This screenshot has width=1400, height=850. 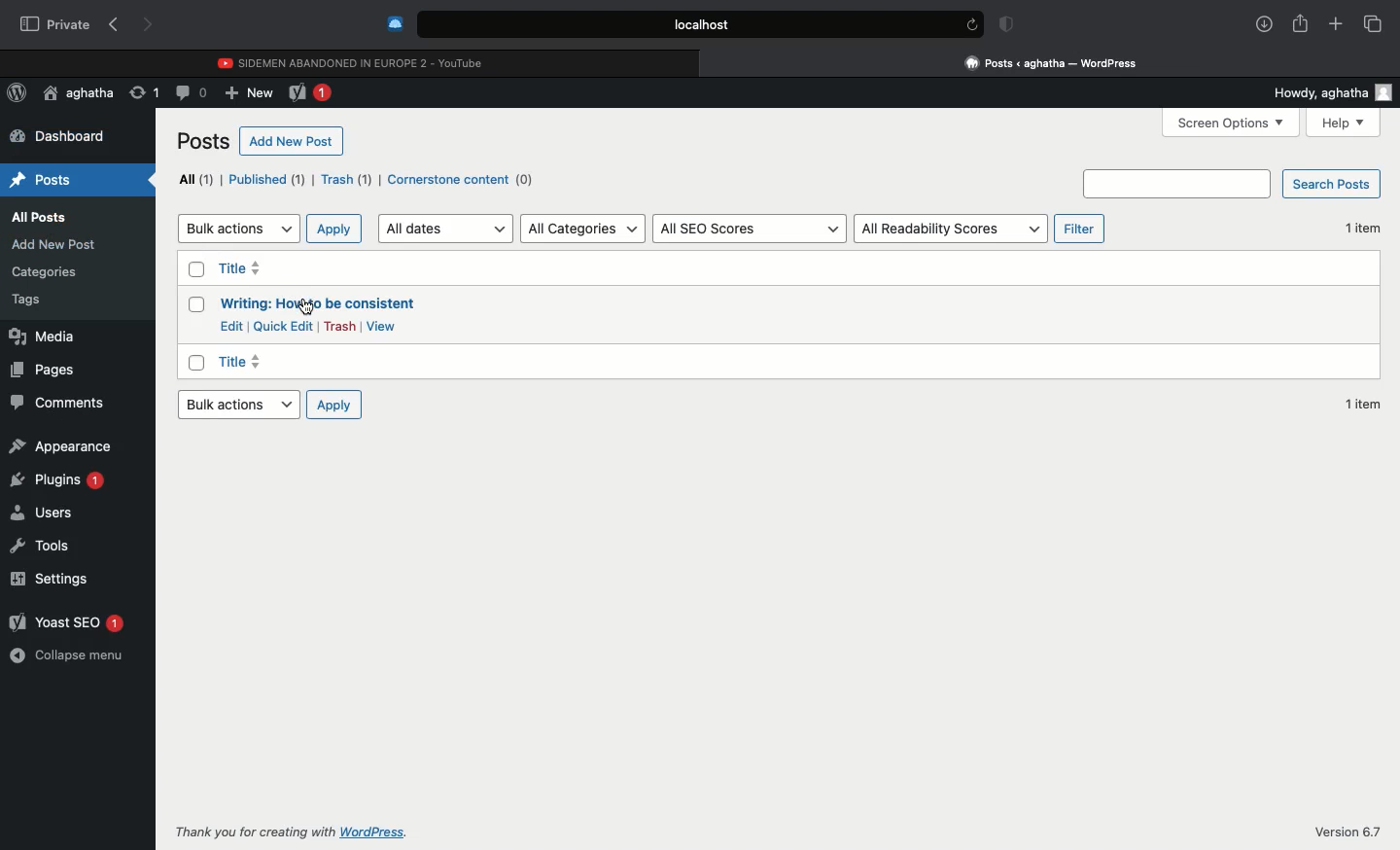 What do you see at coordinates (1300, 21) in the screenshot?
I see `Share` at bounding box center [1300, 21].